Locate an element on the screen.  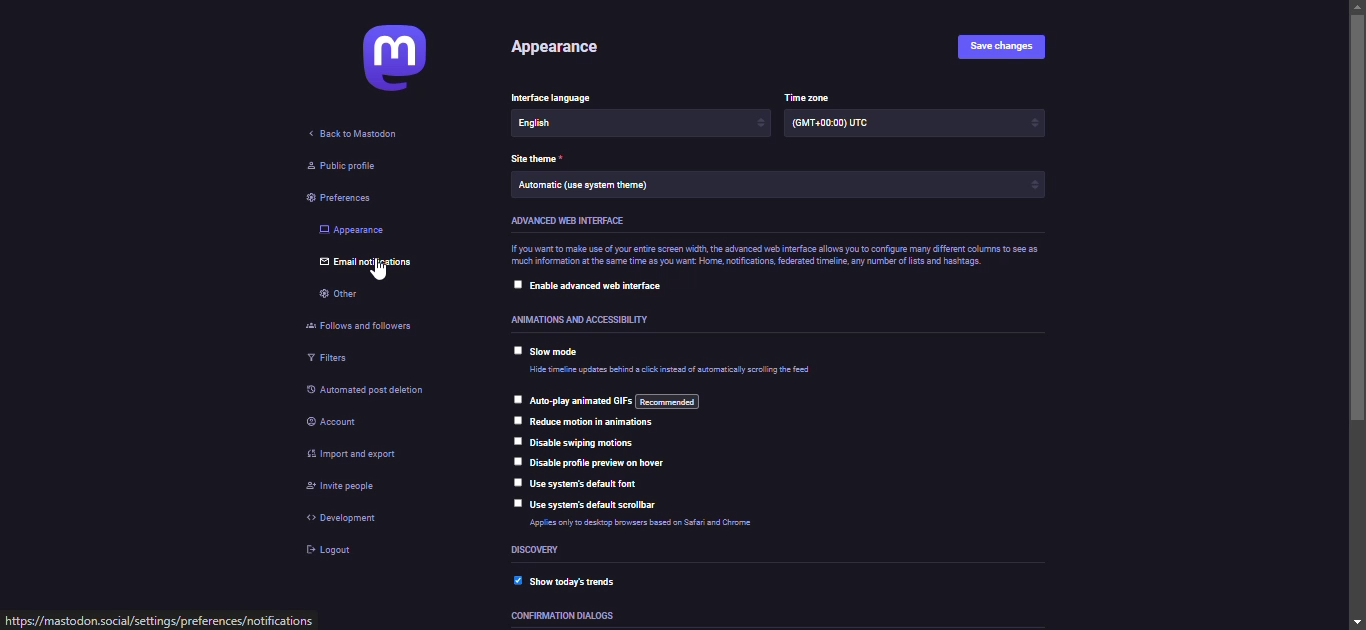
email notifications is located at coordinates (364, 264).